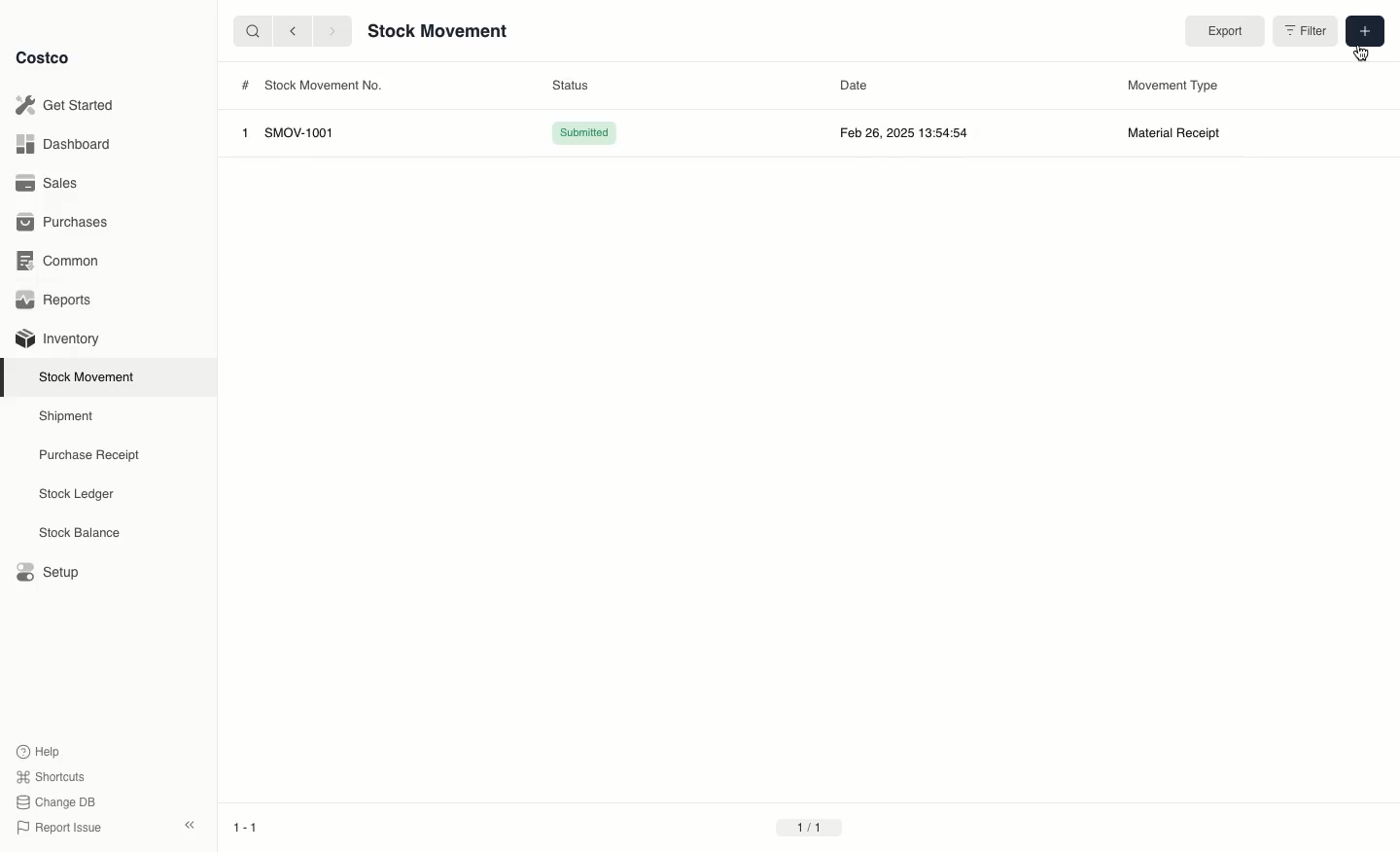  I want to click on Stock Movement No., so click(322, 87).